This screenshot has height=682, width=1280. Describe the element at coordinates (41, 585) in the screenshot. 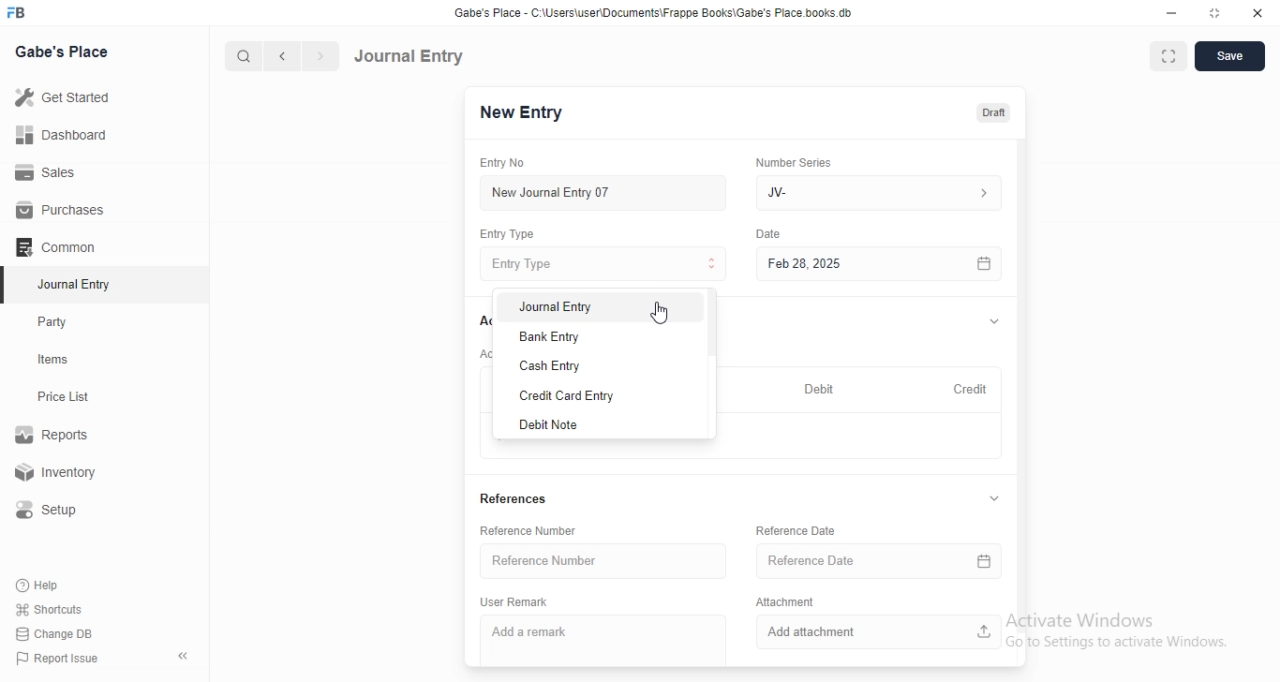

I see `Help` at that location.